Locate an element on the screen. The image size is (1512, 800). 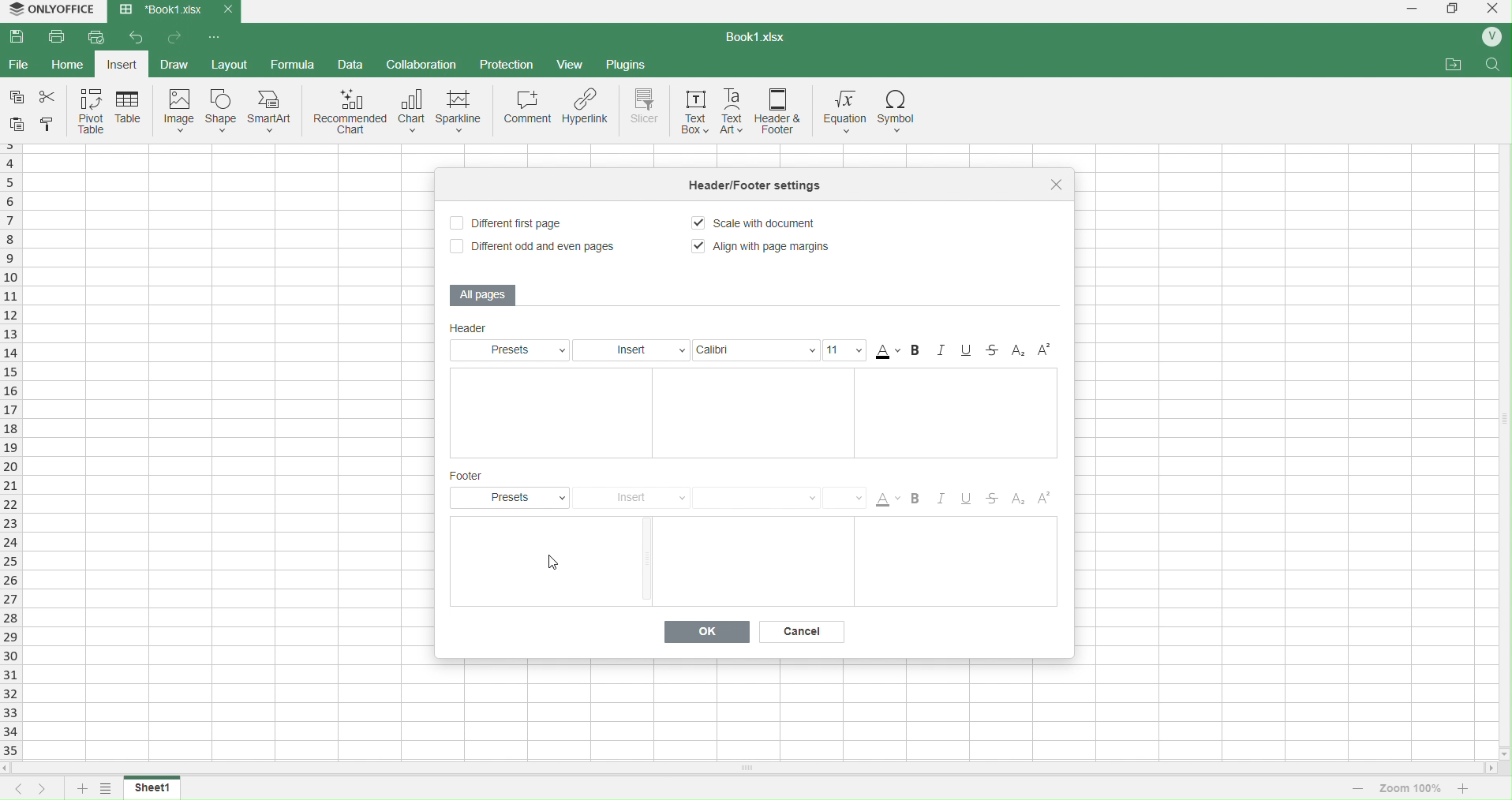
Underline is located at coordinates (972, 352).